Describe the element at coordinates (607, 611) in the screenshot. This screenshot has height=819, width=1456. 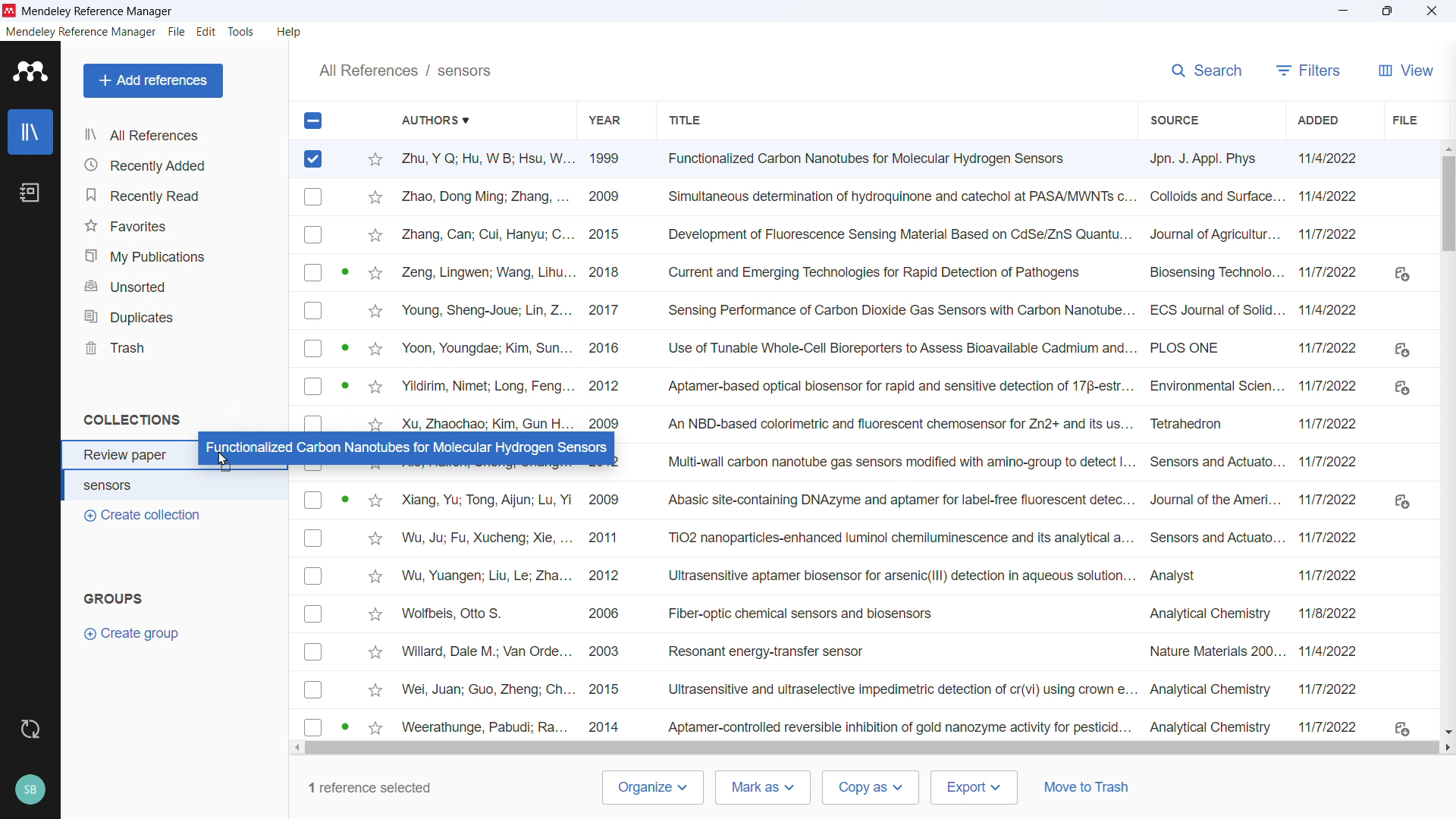
I see `Year of publication of individual entries ` at that location.